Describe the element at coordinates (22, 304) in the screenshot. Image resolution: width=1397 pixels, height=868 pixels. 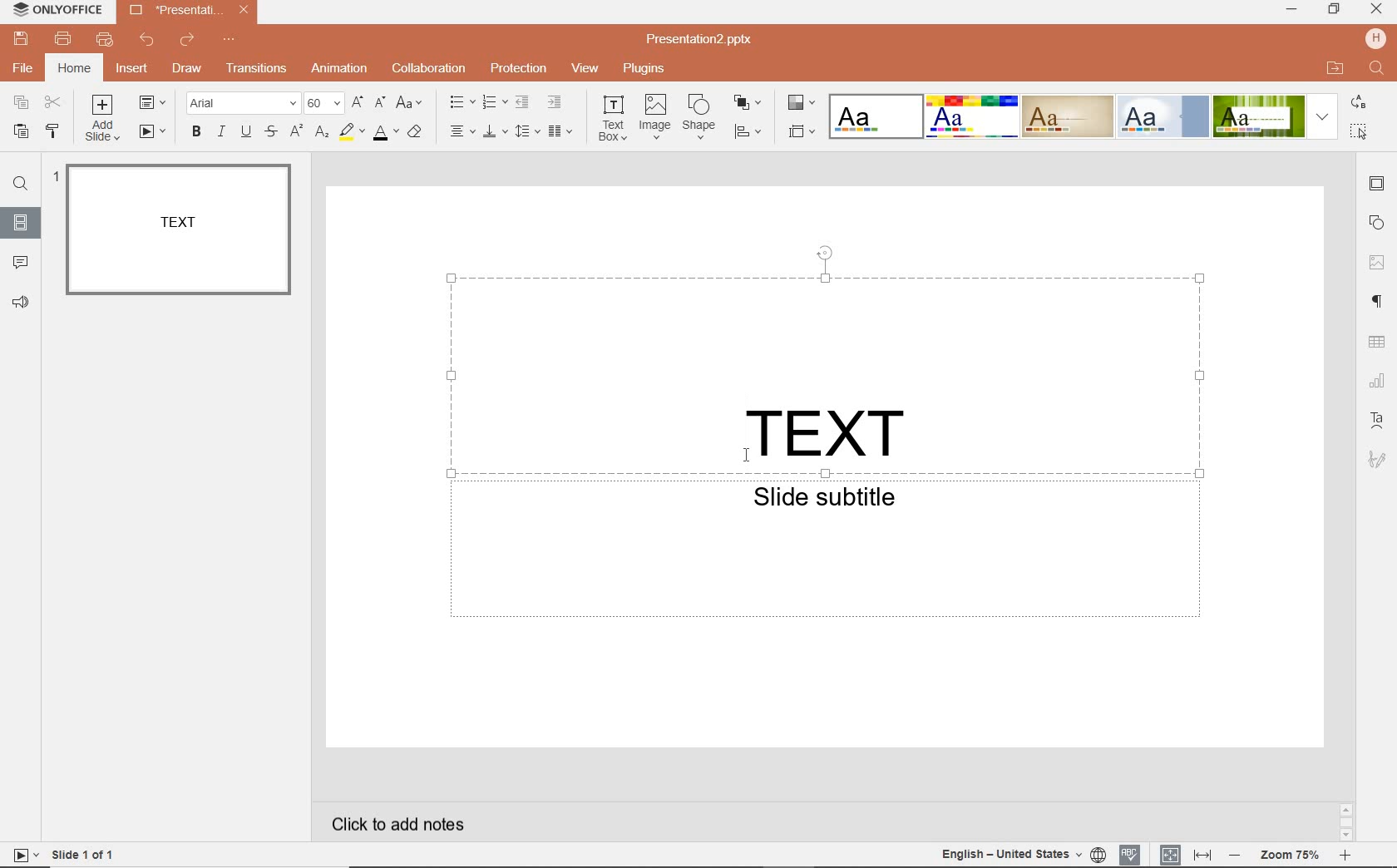
I see `FEEDBACK & SUPPORT` at that location.